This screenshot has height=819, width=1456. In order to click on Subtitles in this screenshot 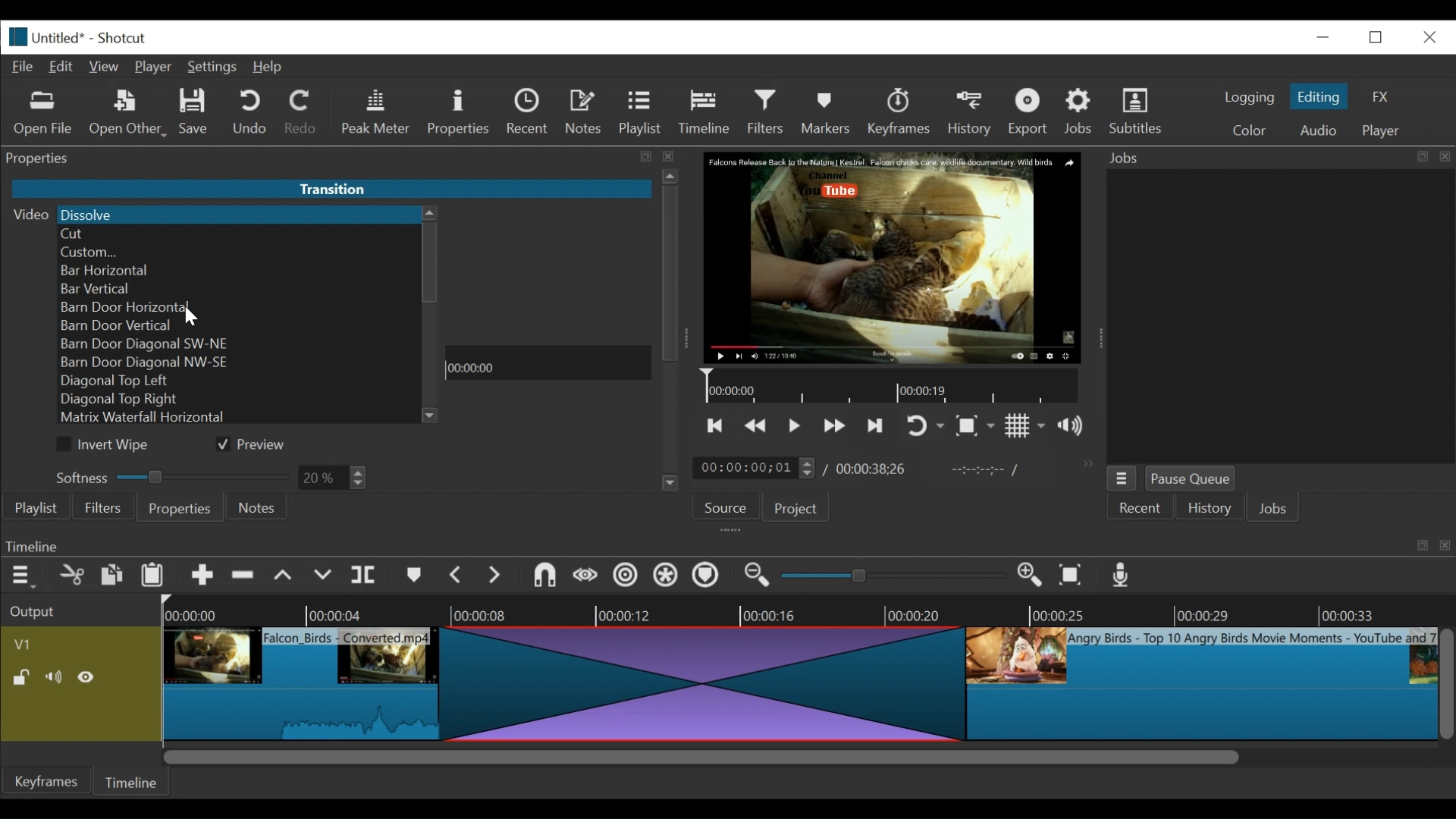, I will do `click(1136, 111)`.